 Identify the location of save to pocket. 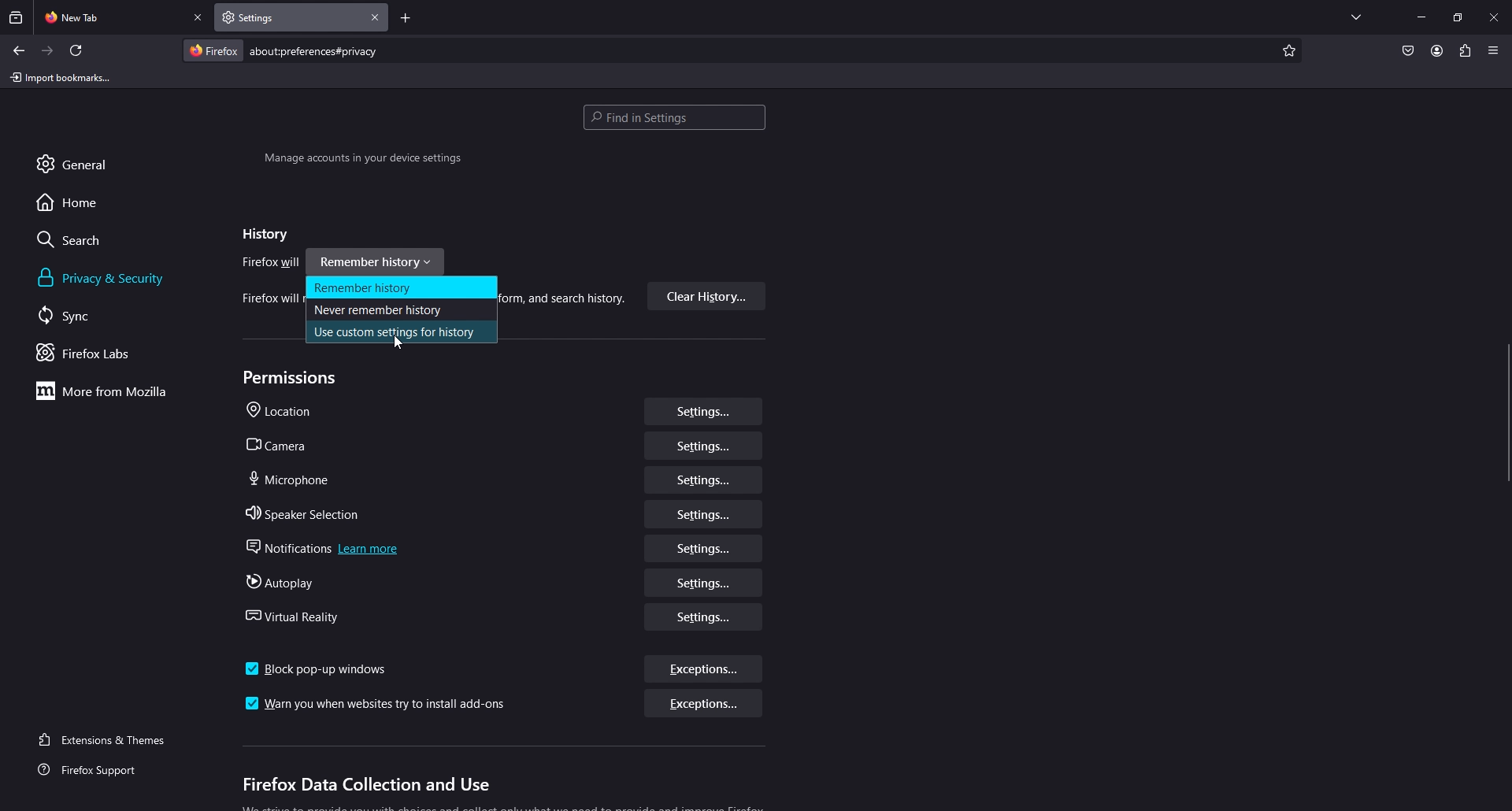
(1407, 52).